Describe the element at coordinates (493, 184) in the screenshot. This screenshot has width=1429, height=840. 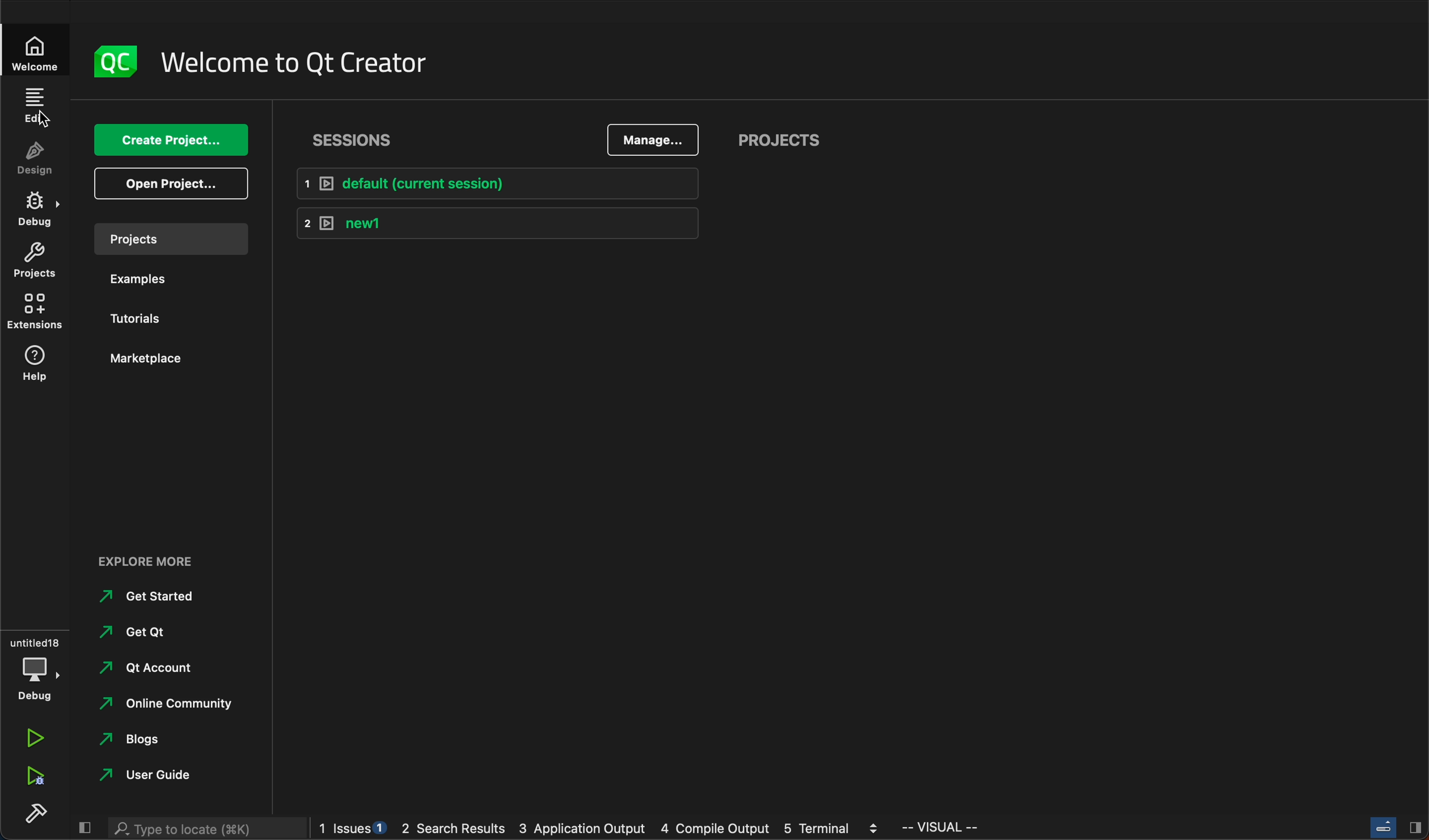
I see `default` at that location.